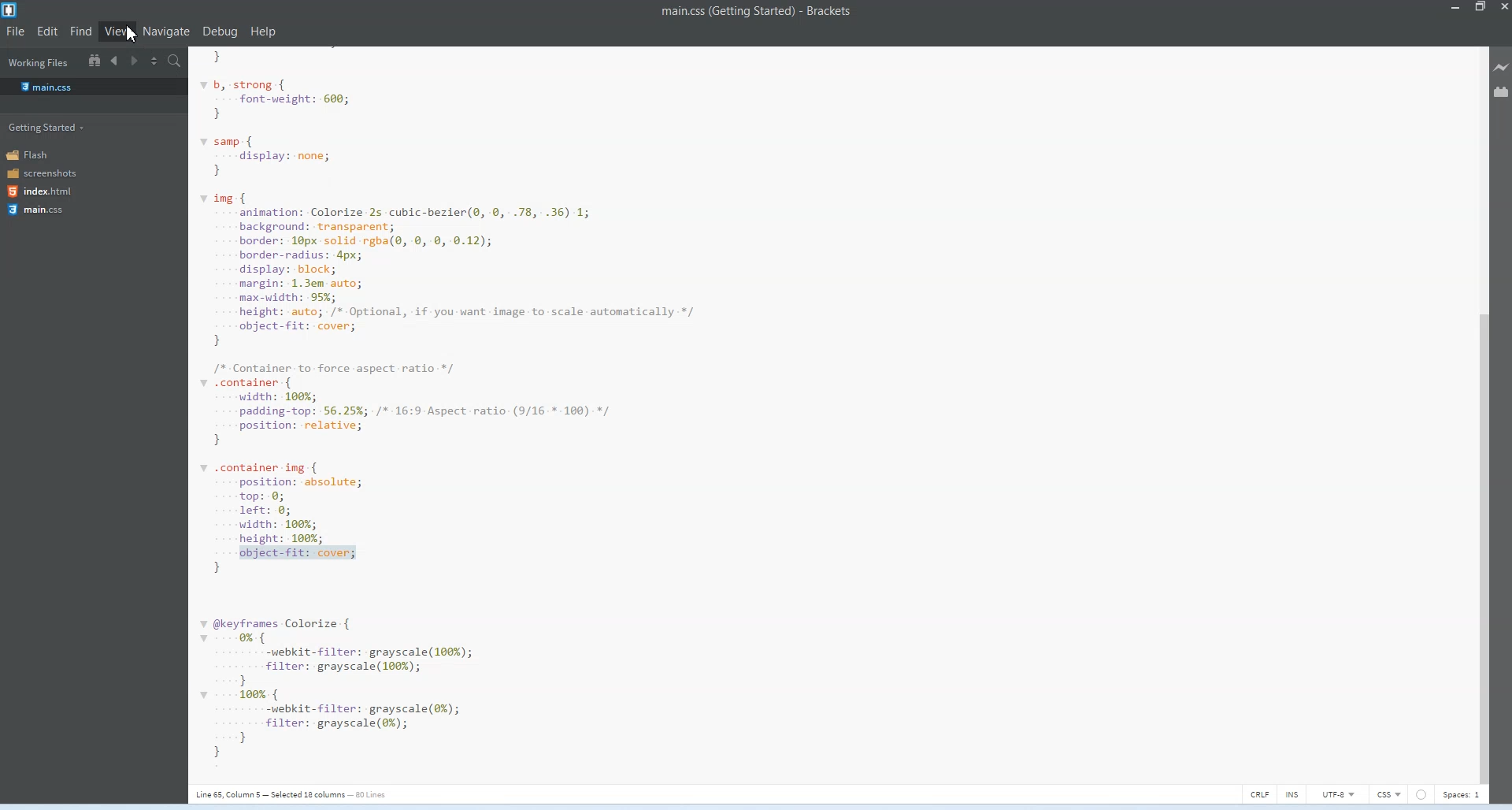 This screenshot has width=1512, height=810. I want to click on Cursor, so click(134, 34).